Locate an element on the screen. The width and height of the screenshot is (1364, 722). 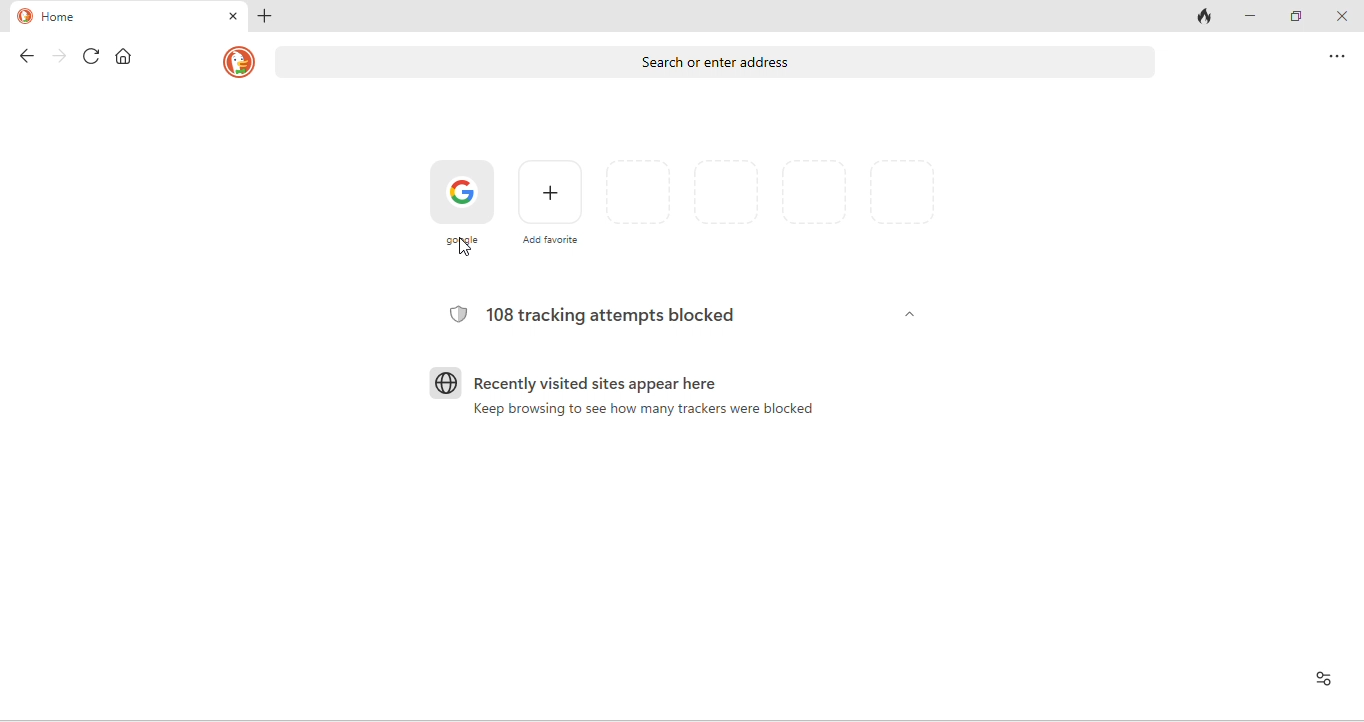
search or enter address is located at coordinates (714, 61).